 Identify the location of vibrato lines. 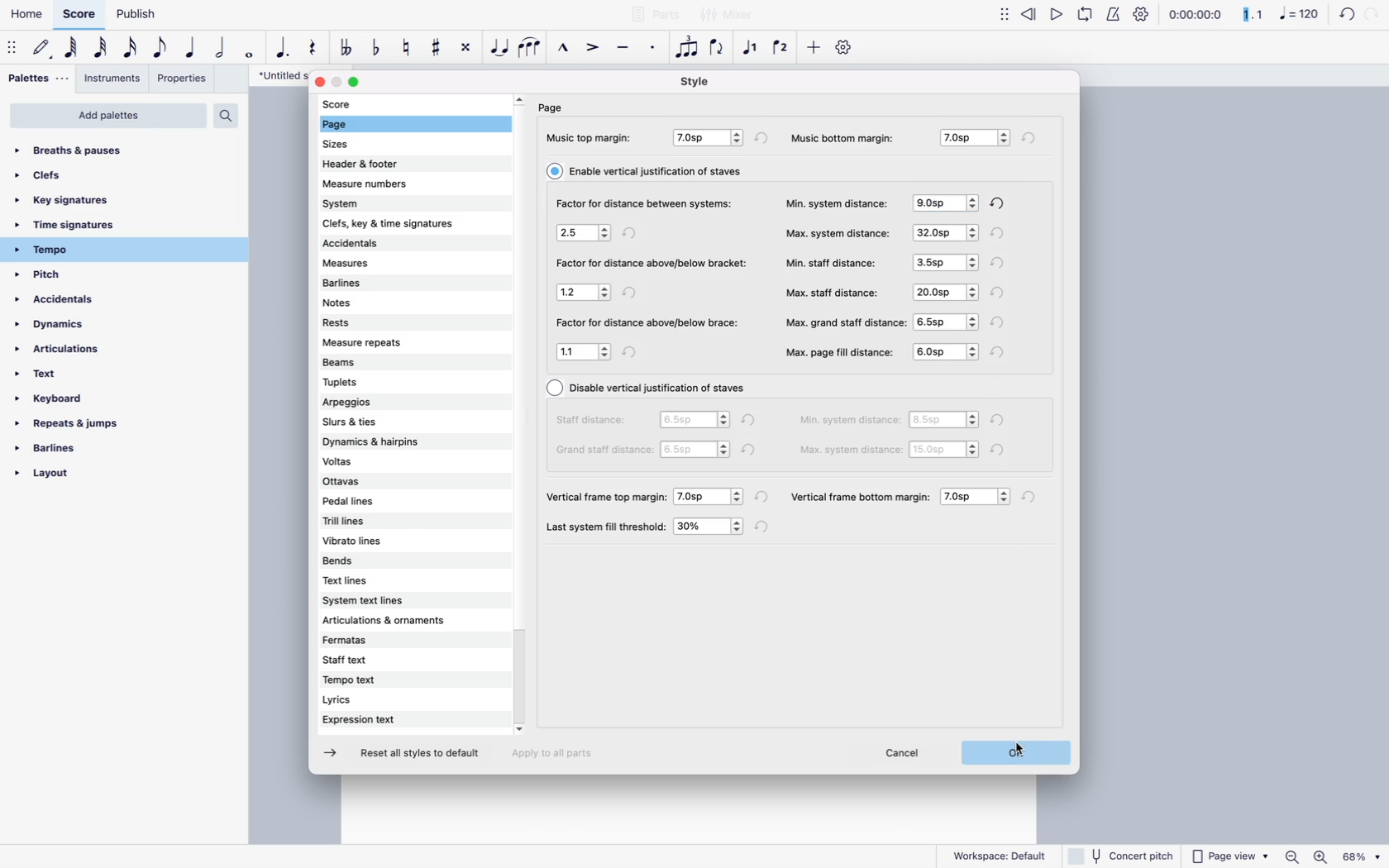
(377, 540).